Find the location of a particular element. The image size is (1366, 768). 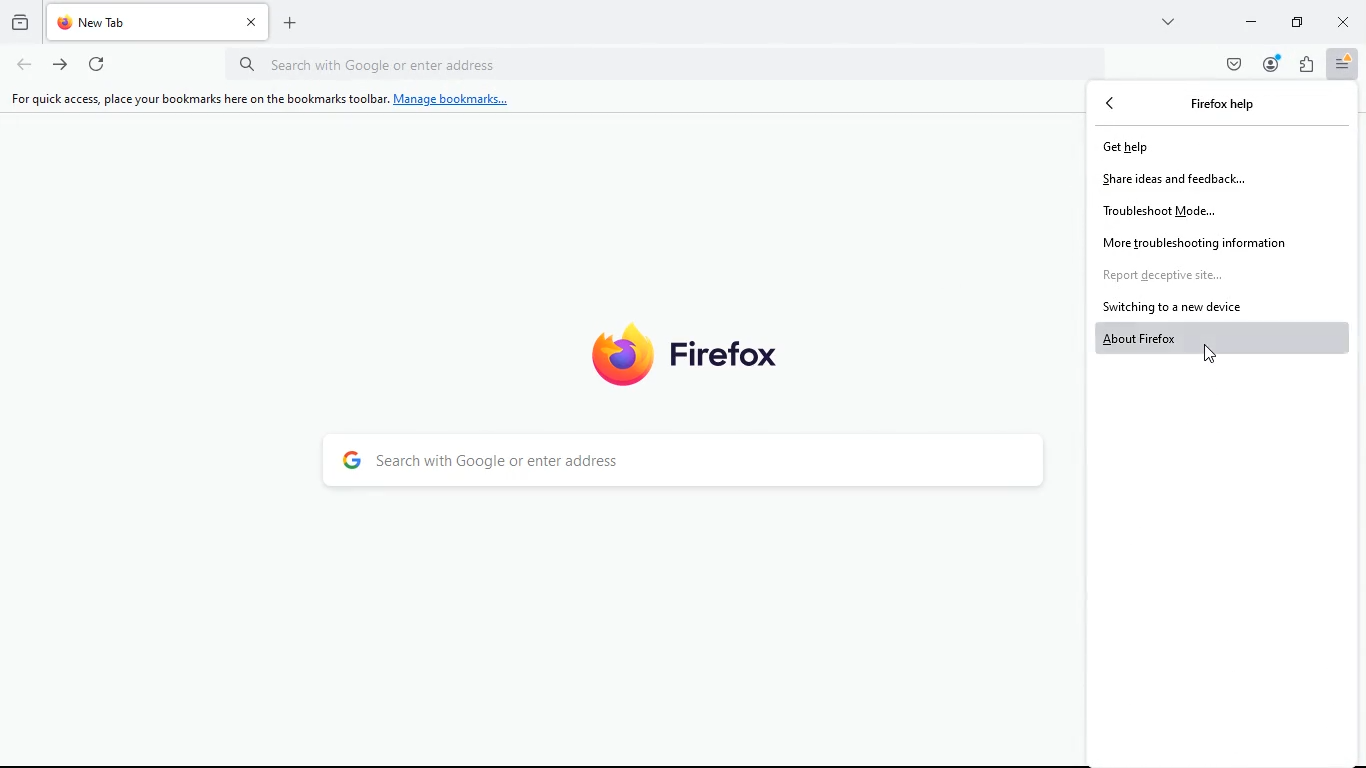

troubleshoot mode is located at coordinates (1169, 211).